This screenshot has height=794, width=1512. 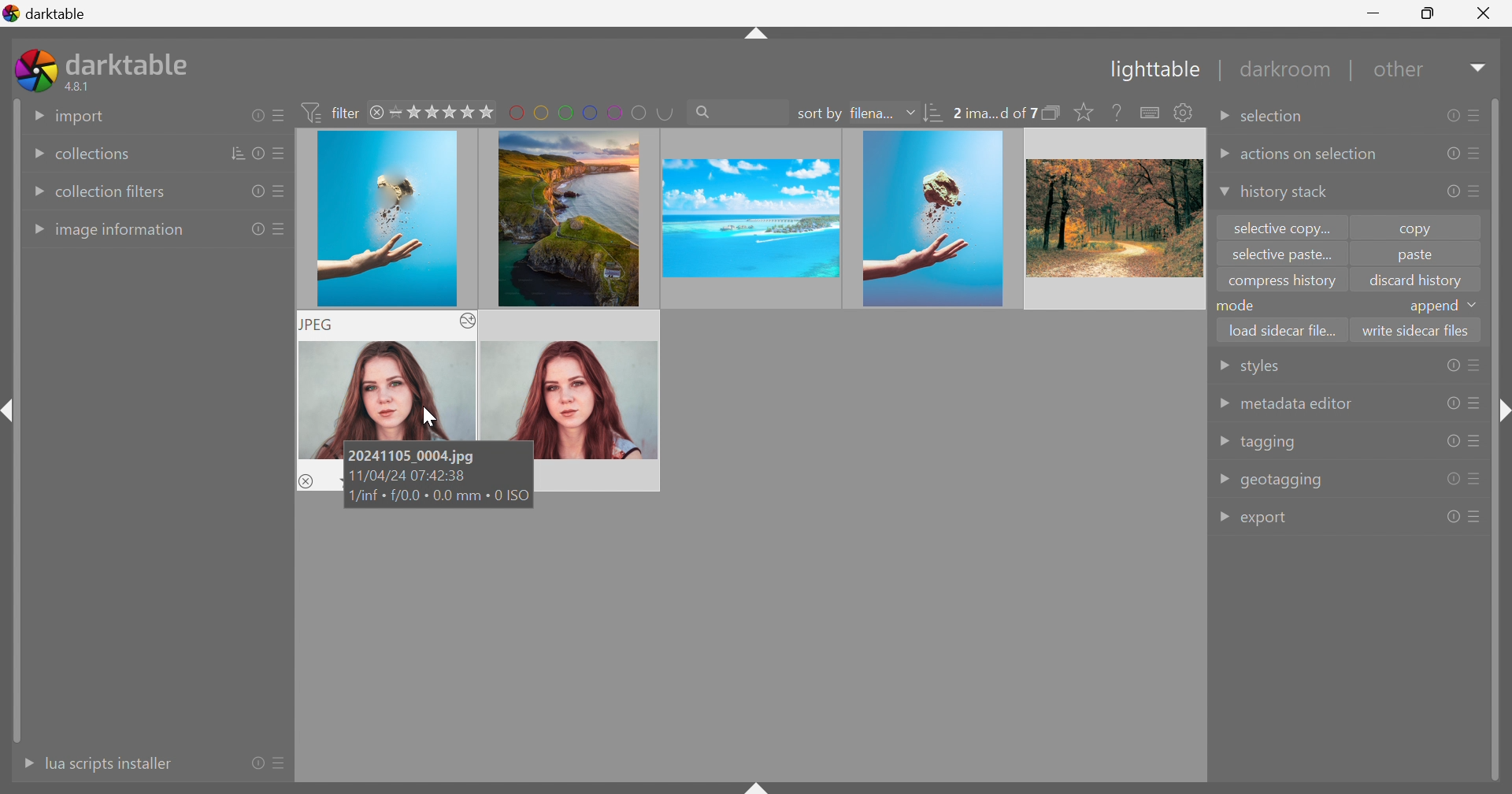 I want to click on darktable, so click(x=46, y=11).